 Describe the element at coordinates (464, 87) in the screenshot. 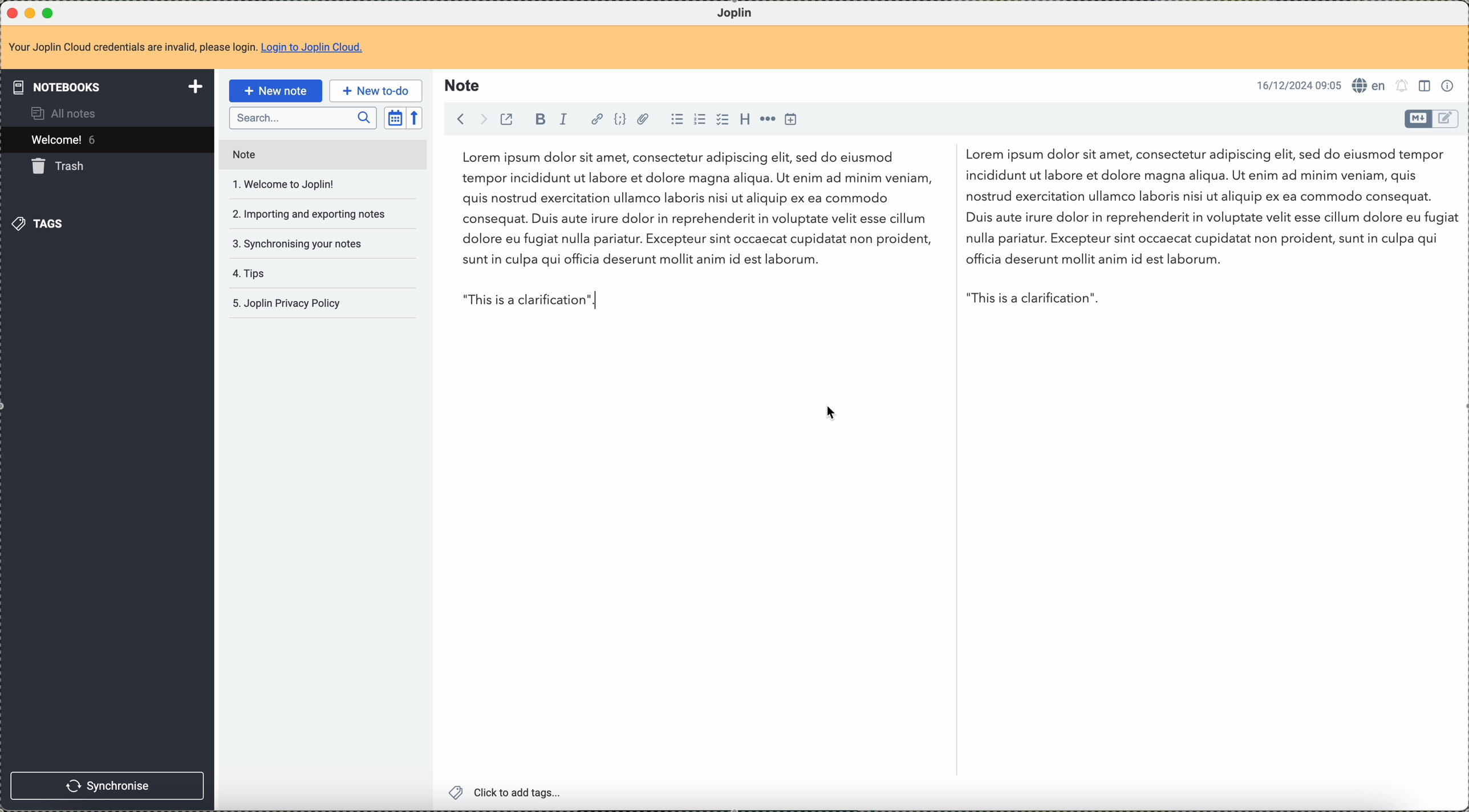

I see `note` at that location.